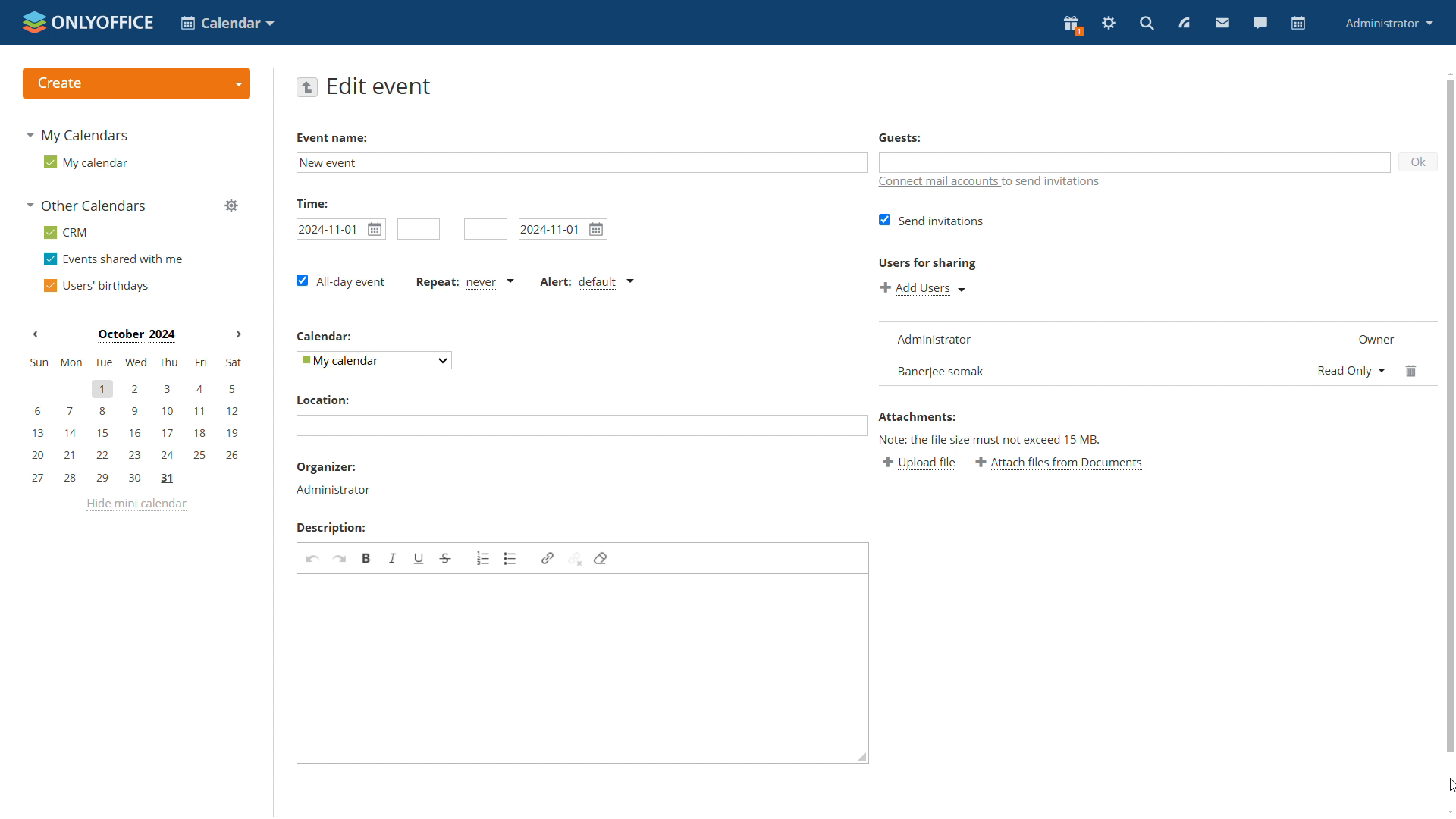 The height and width of the screenshot is (819, 1456). What do you see at coordinates (900, 140) in the screenshot?
I see `Guests` at bounding box center [900, 140].